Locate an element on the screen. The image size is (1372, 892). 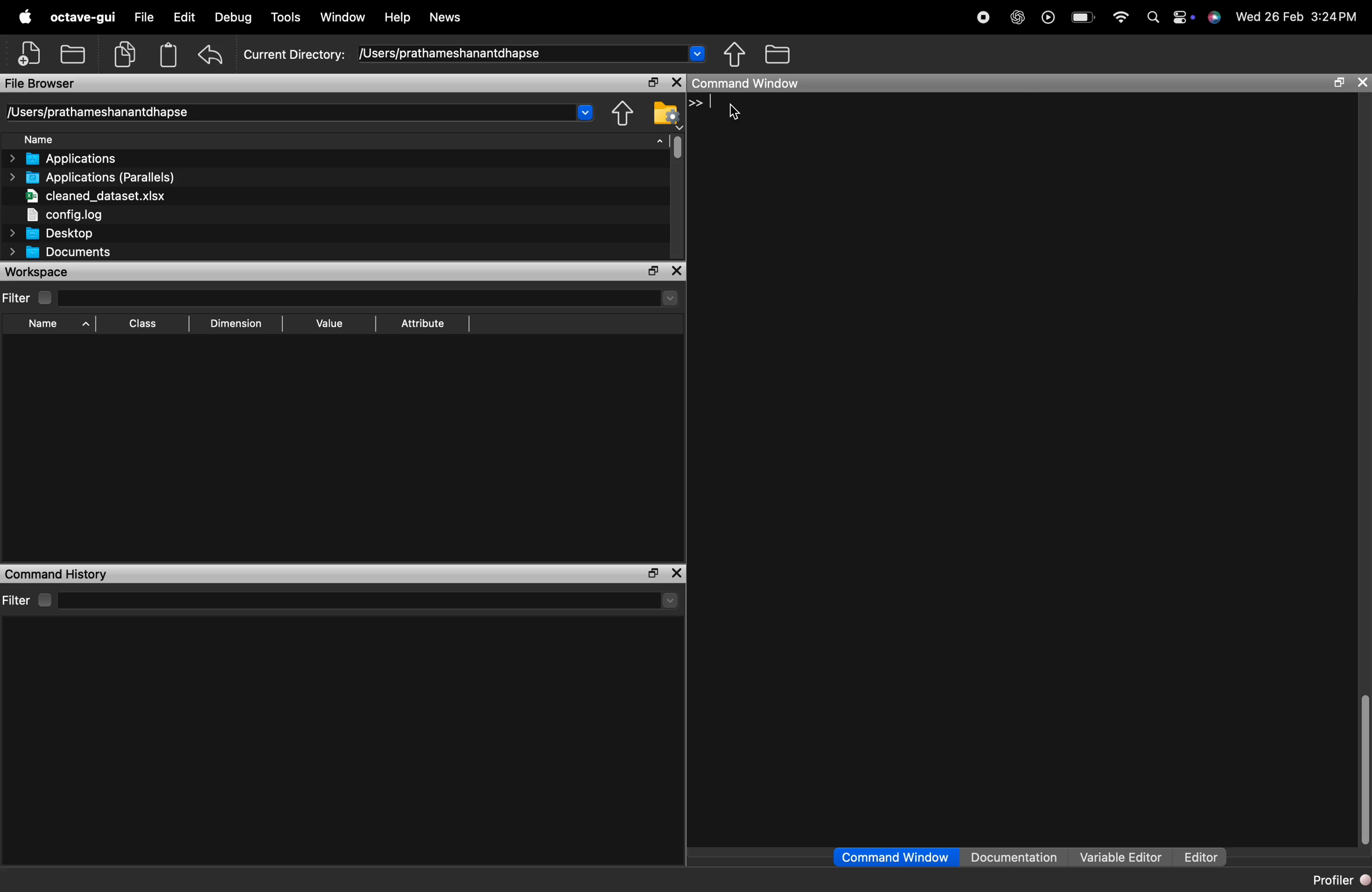
Scroll bar is located at coordinates (1361, 771).